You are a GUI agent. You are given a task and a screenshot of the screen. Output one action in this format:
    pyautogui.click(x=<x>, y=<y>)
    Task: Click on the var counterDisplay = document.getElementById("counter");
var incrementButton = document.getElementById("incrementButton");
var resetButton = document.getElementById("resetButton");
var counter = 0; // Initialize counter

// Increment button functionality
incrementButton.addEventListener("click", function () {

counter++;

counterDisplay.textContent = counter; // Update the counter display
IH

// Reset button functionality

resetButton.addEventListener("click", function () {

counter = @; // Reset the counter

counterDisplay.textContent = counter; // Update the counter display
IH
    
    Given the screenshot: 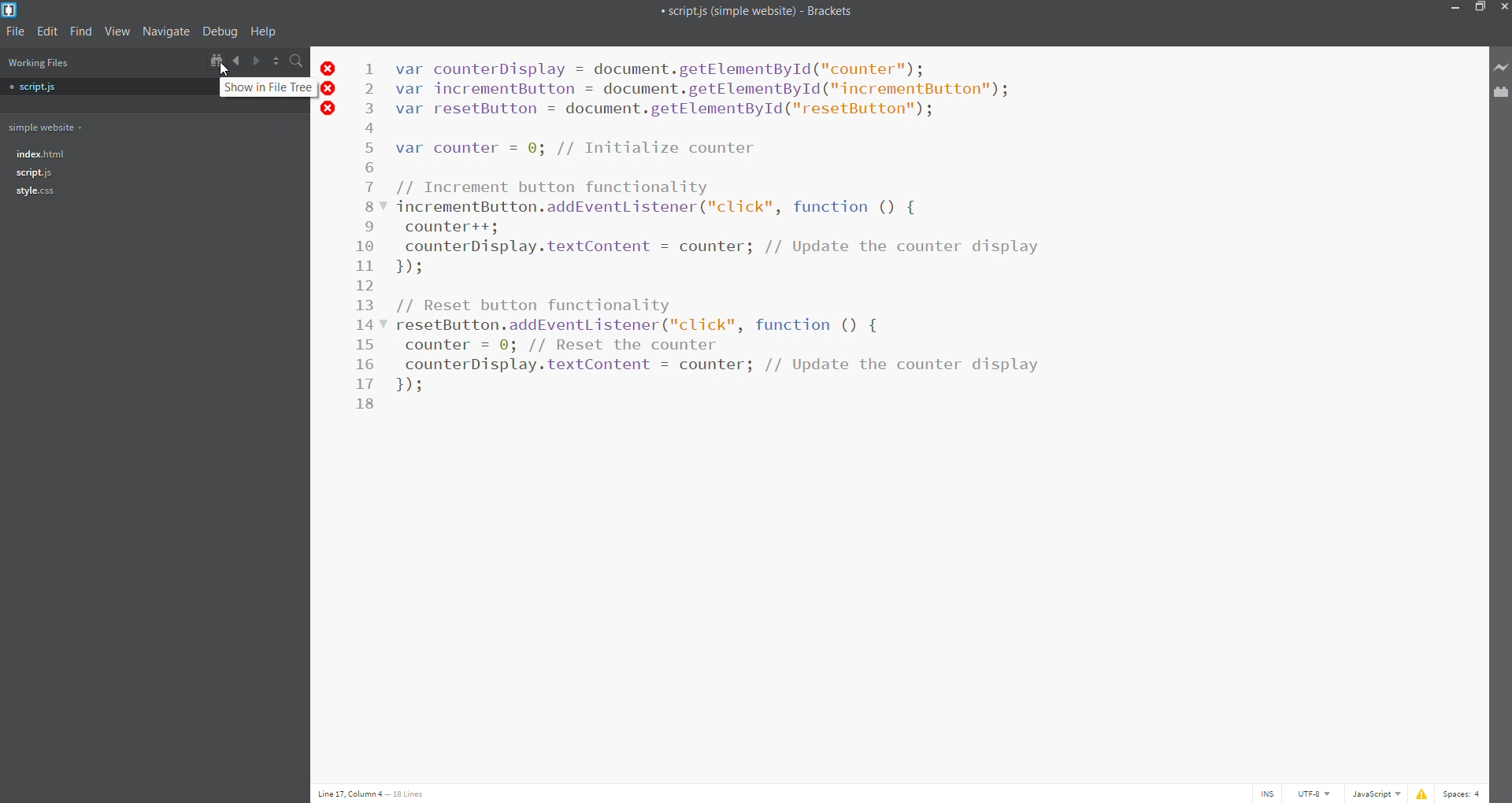 What is the action you would take?
    pyautogui.click(x=728, y=232)
    